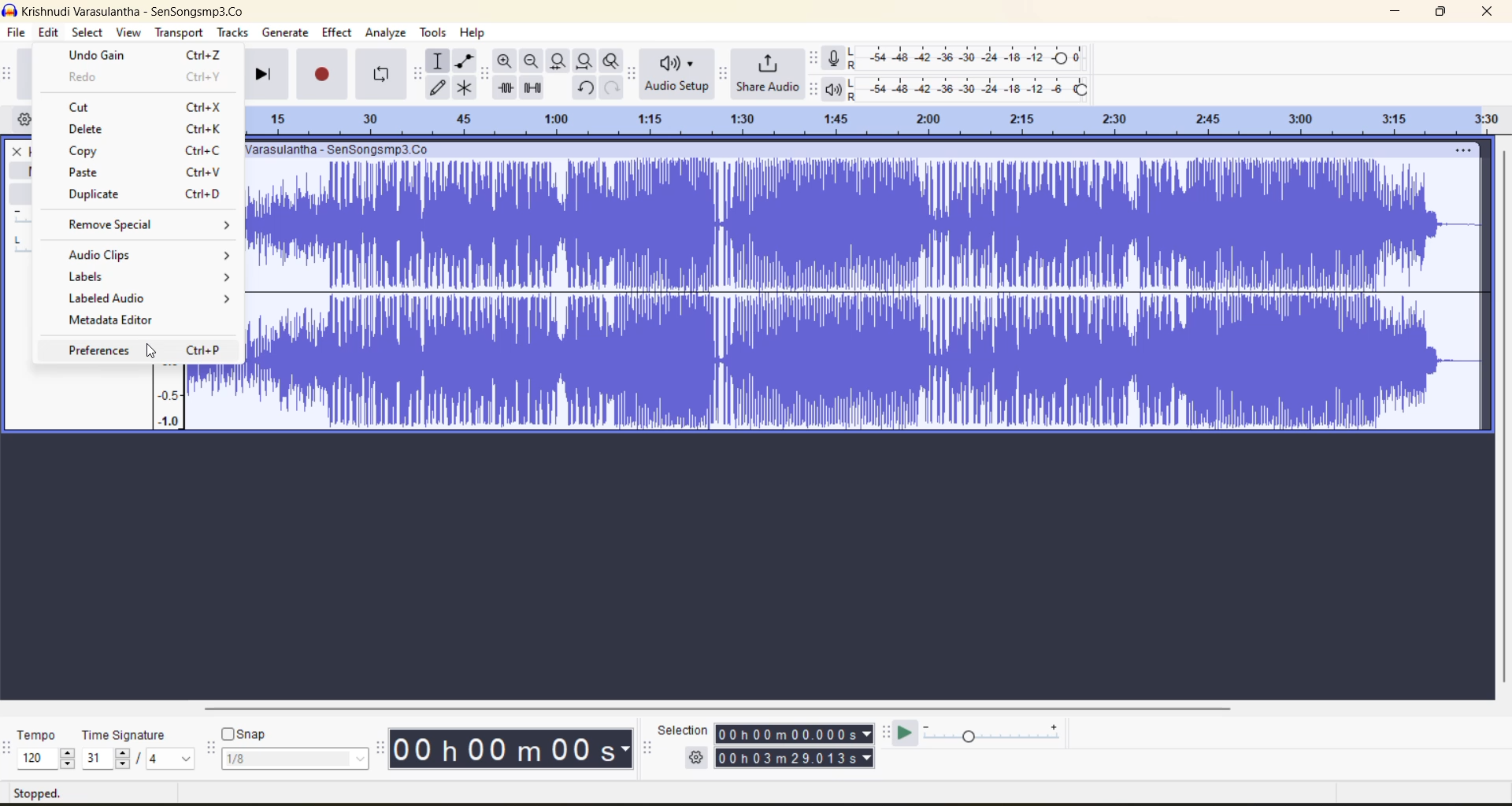 This screenshot has height=806, width=1512. What do you see at coordinates (648, 747) in the screenshot?
I see `selection tool bar` at bounding box center [648, 747].